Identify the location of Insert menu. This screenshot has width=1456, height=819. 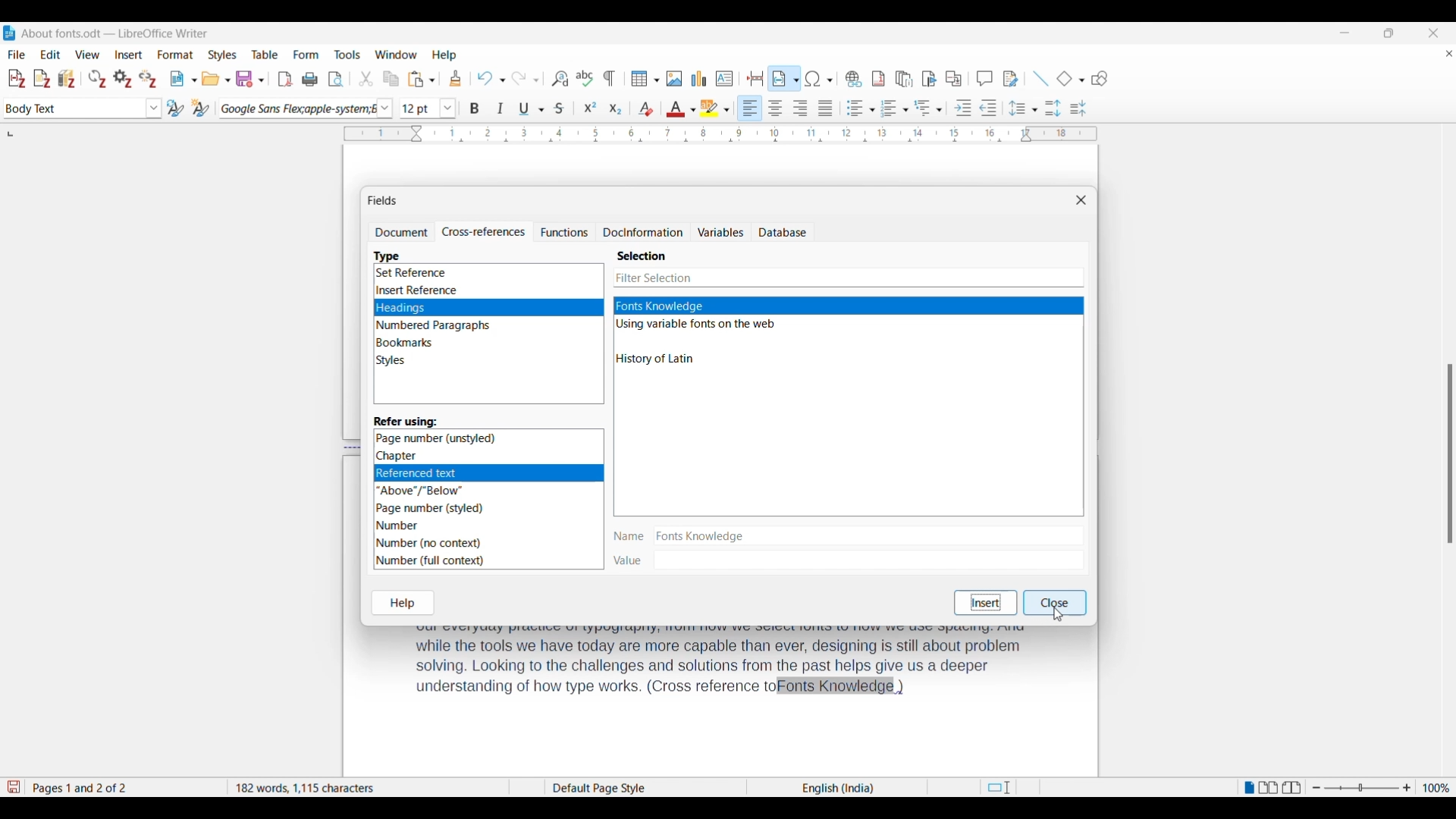
(129, 55).